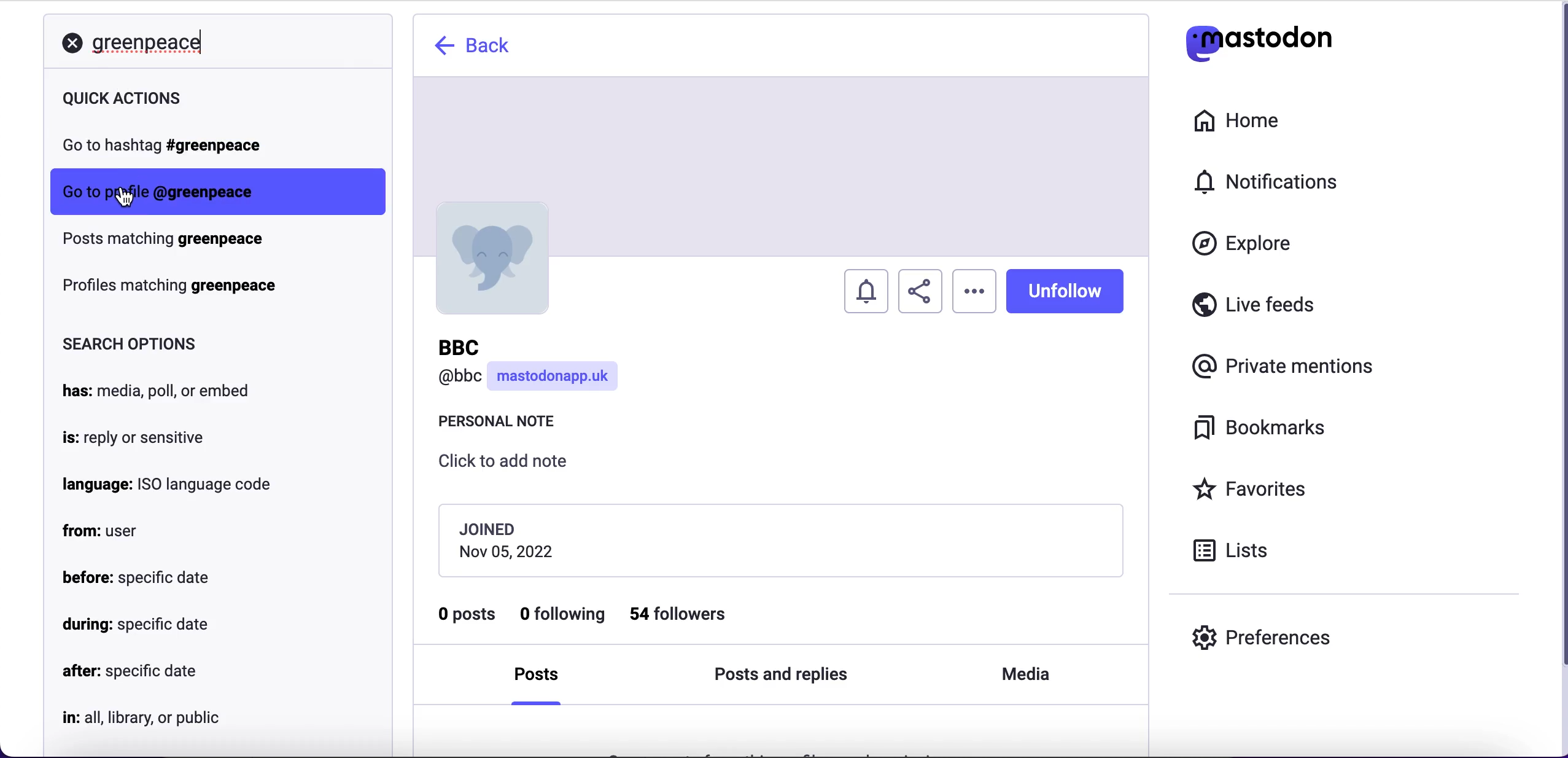  What do you see at coordinates (867, 287) in the screenshot?
I see `turn notifications on` at bounding box center [867, 287].